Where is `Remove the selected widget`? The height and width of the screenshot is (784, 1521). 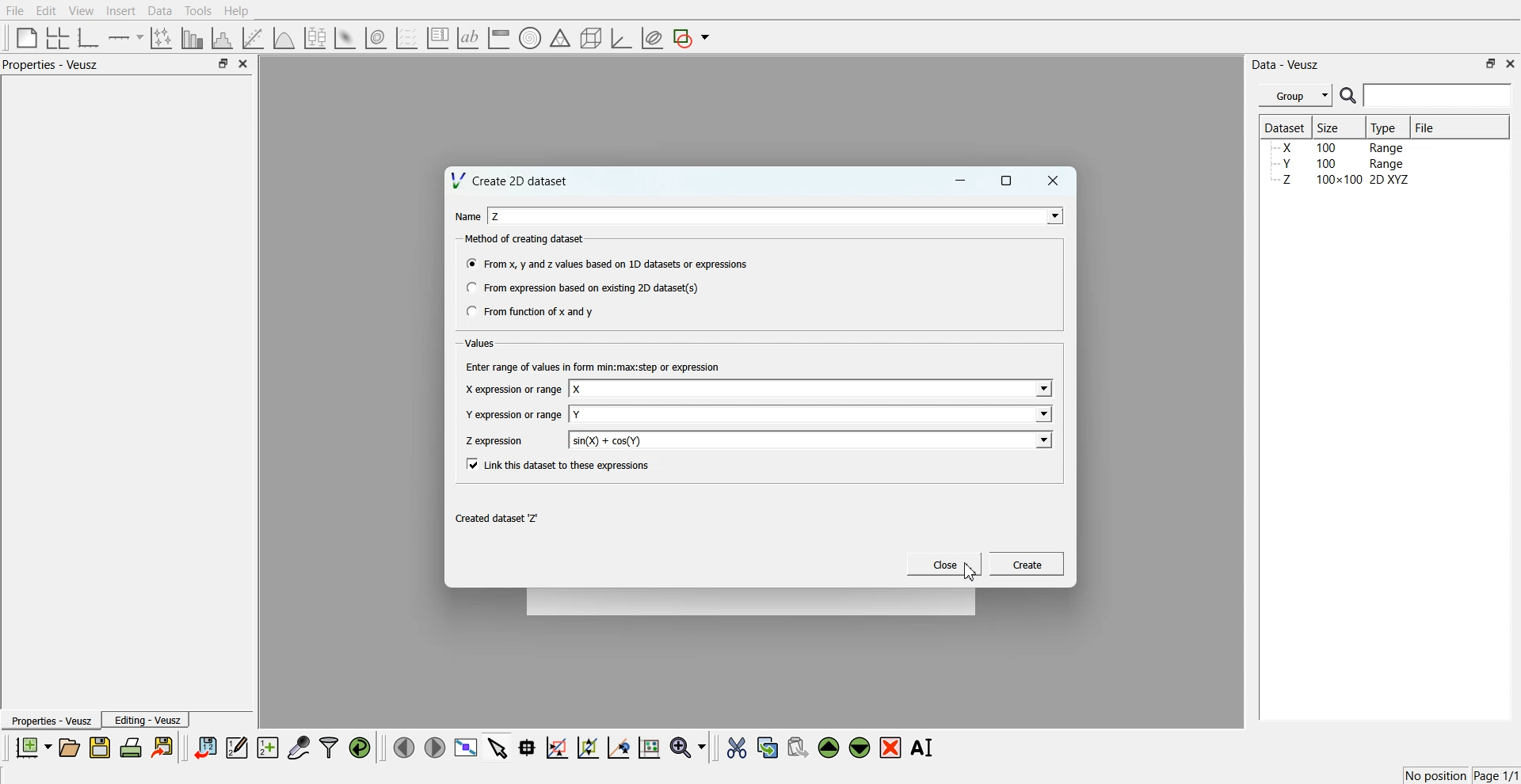 Remove the selected widget is located at coordinates (890, 748).